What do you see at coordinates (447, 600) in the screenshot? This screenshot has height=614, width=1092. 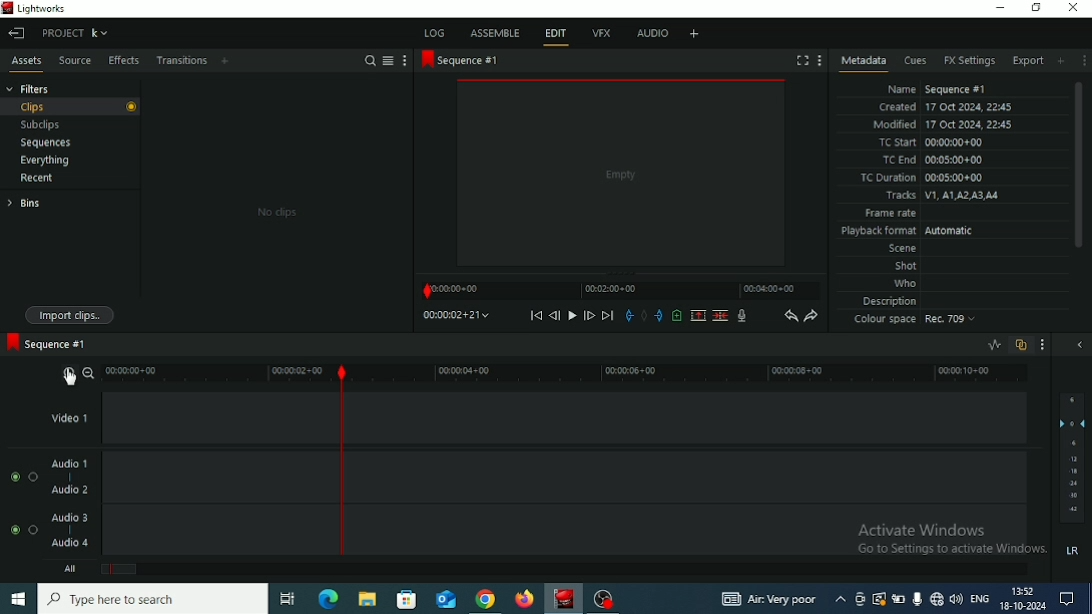 I see `Mail` at bounding box center [447, 600].